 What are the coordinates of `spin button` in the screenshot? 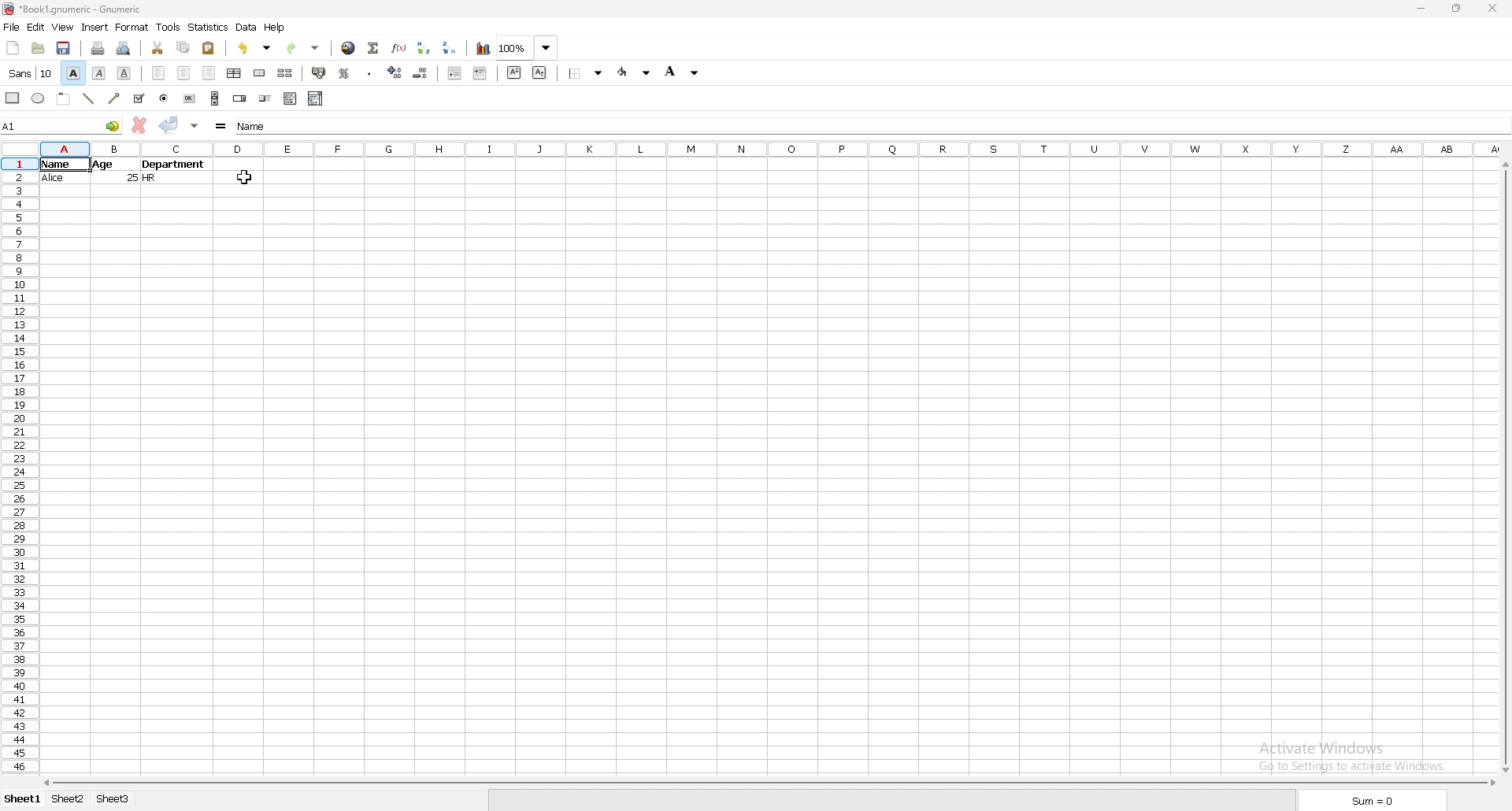 It's located at (240, 100).